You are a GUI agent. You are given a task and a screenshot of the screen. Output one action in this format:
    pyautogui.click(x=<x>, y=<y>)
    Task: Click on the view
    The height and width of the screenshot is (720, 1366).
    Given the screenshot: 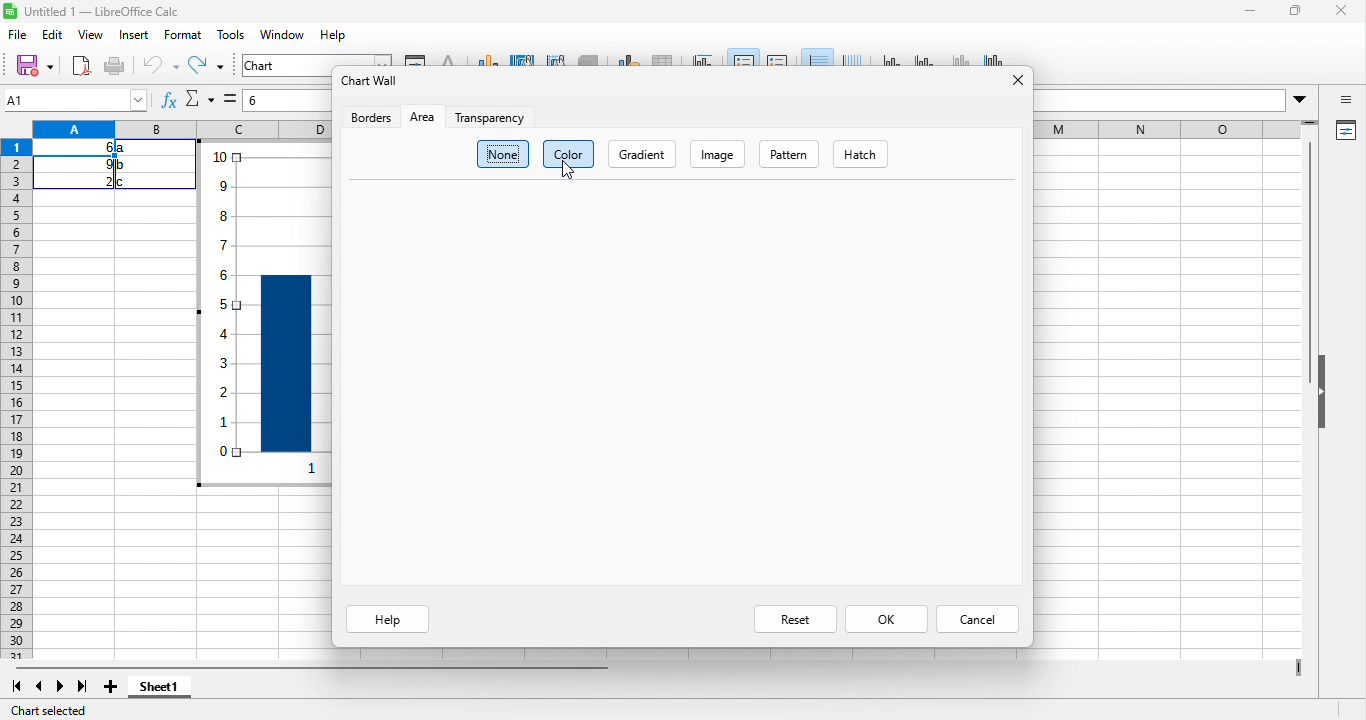 What is the action you would take?
    pyautogui.click(x=91, y=35)
    